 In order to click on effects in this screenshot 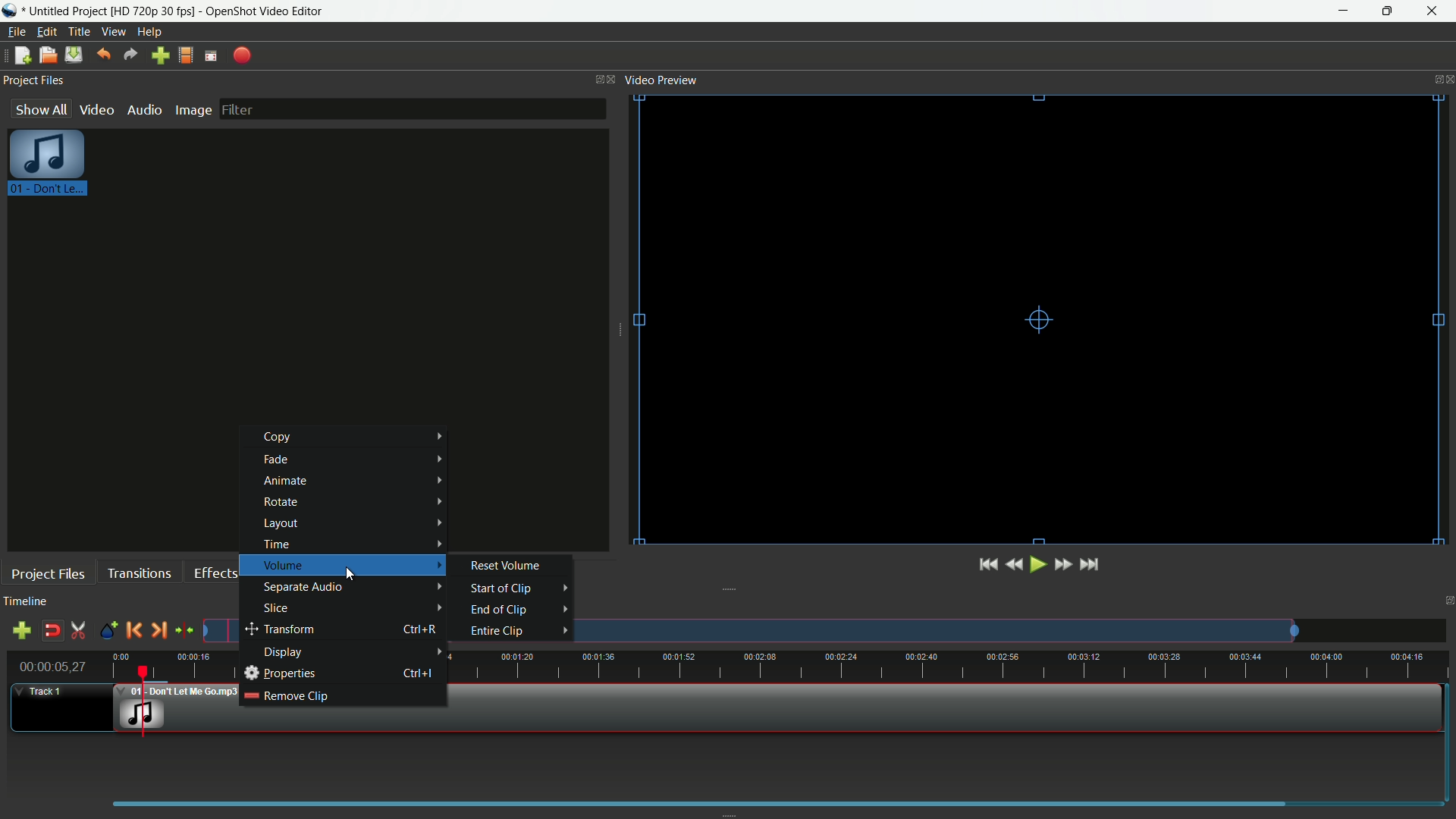, I will do `click(217, 573)`.